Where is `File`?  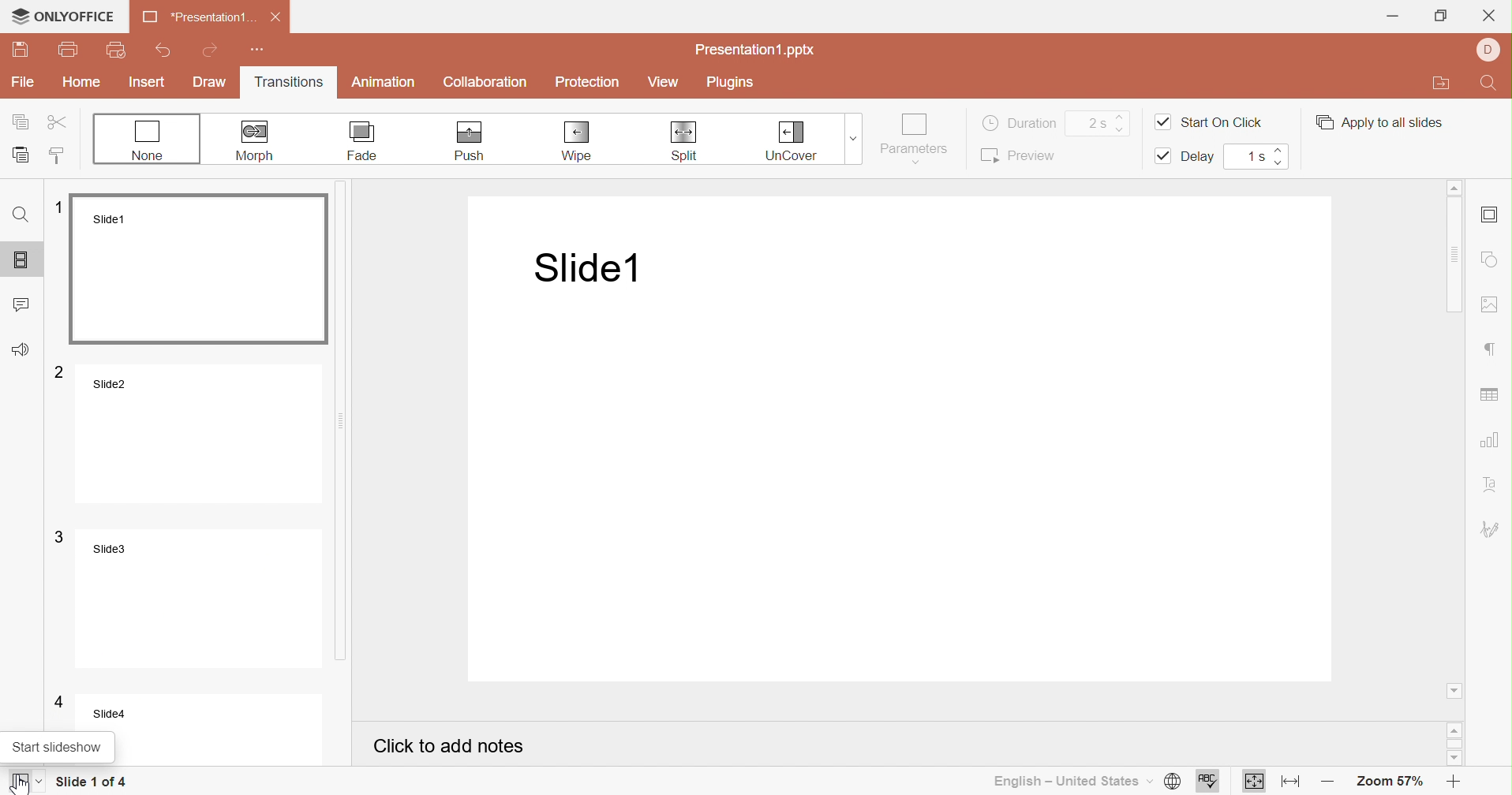 File is located at coordinates (23, 83).